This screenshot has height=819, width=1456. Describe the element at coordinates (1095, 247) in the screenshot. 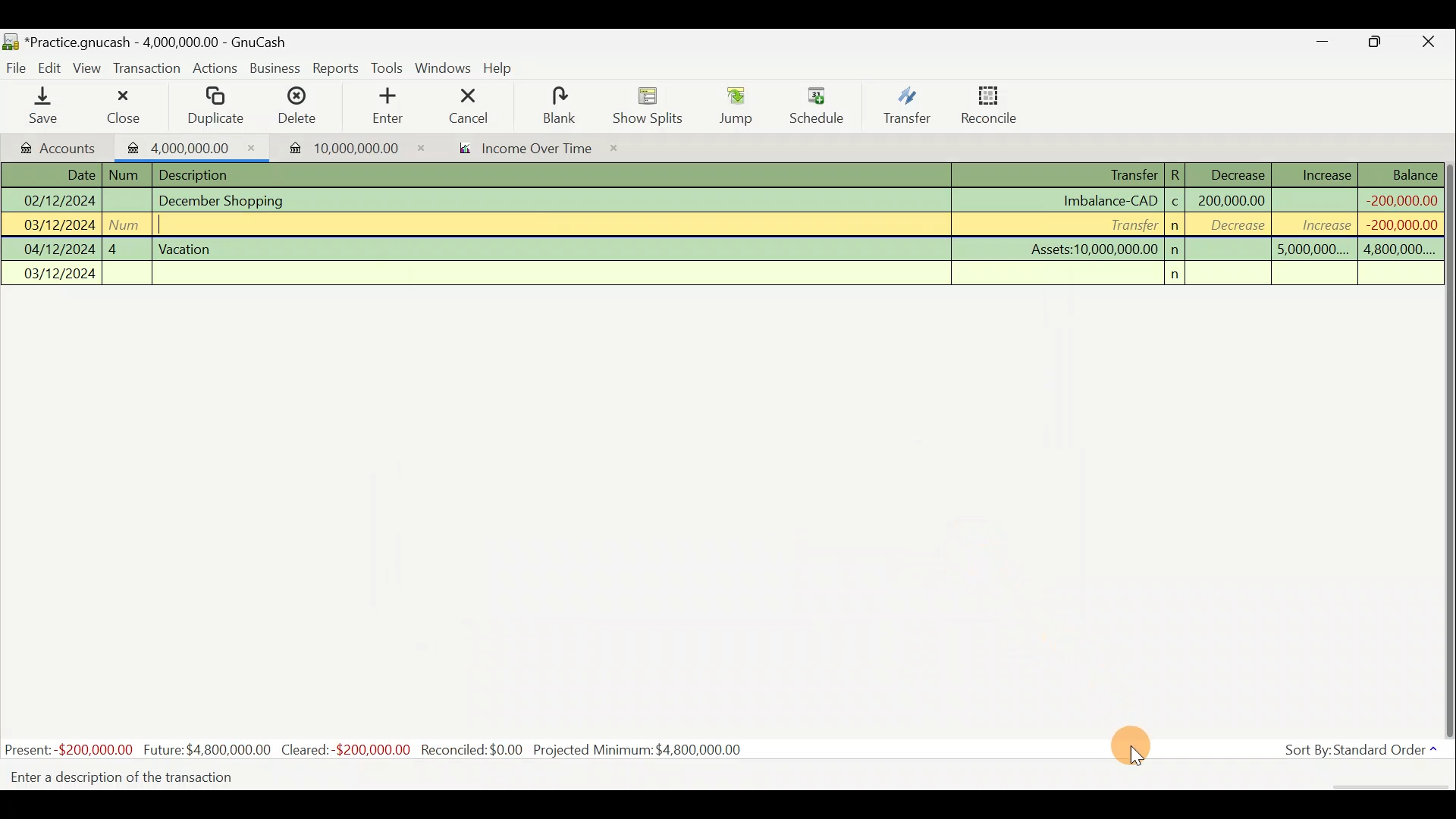

I see `Assets:10,000,000.00` at that location.